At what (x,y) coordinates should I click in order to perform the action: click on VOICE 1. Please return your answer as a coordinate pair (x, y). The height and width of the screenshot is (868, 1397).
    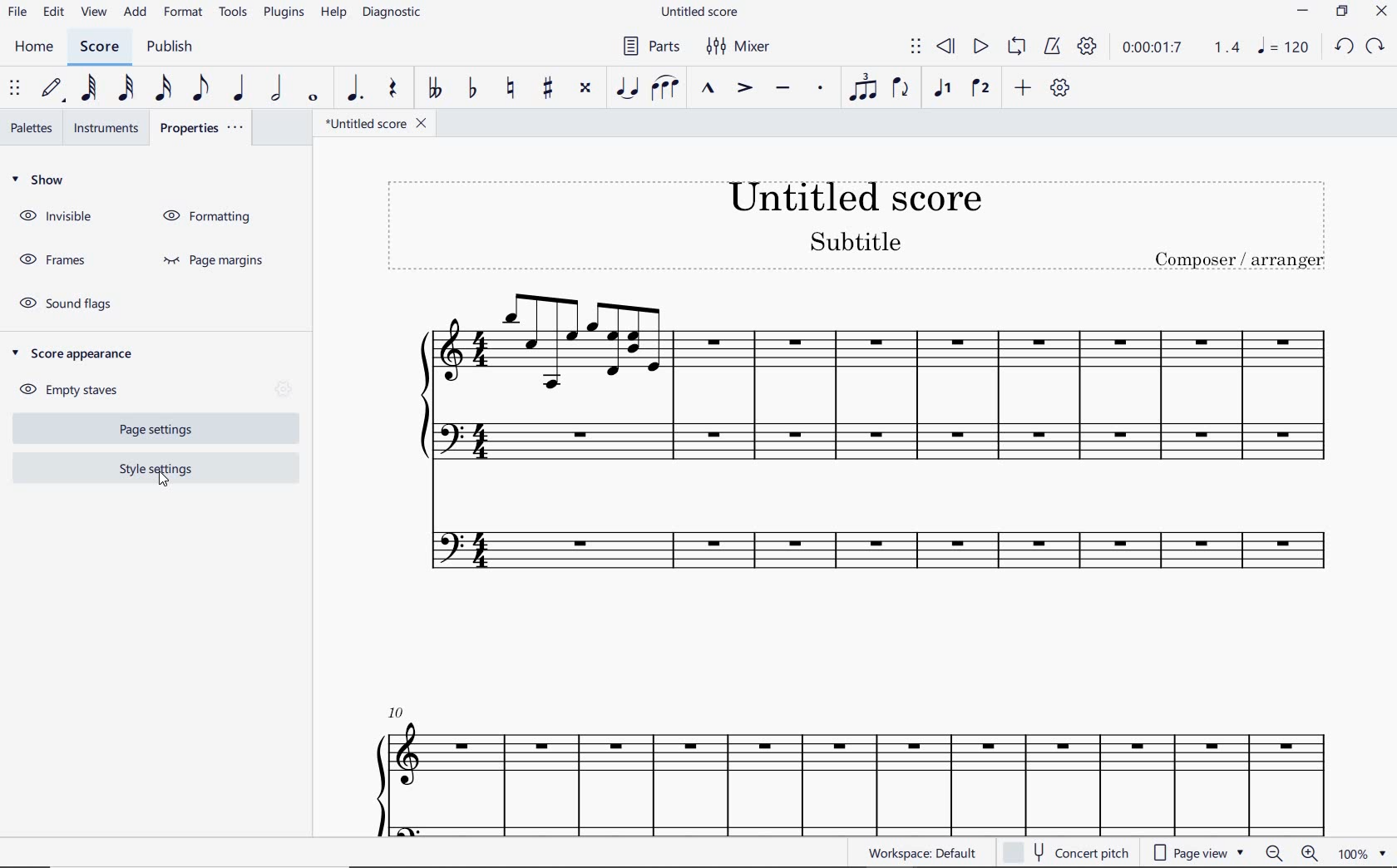
    Looking at the image, I should click on (939, 90).